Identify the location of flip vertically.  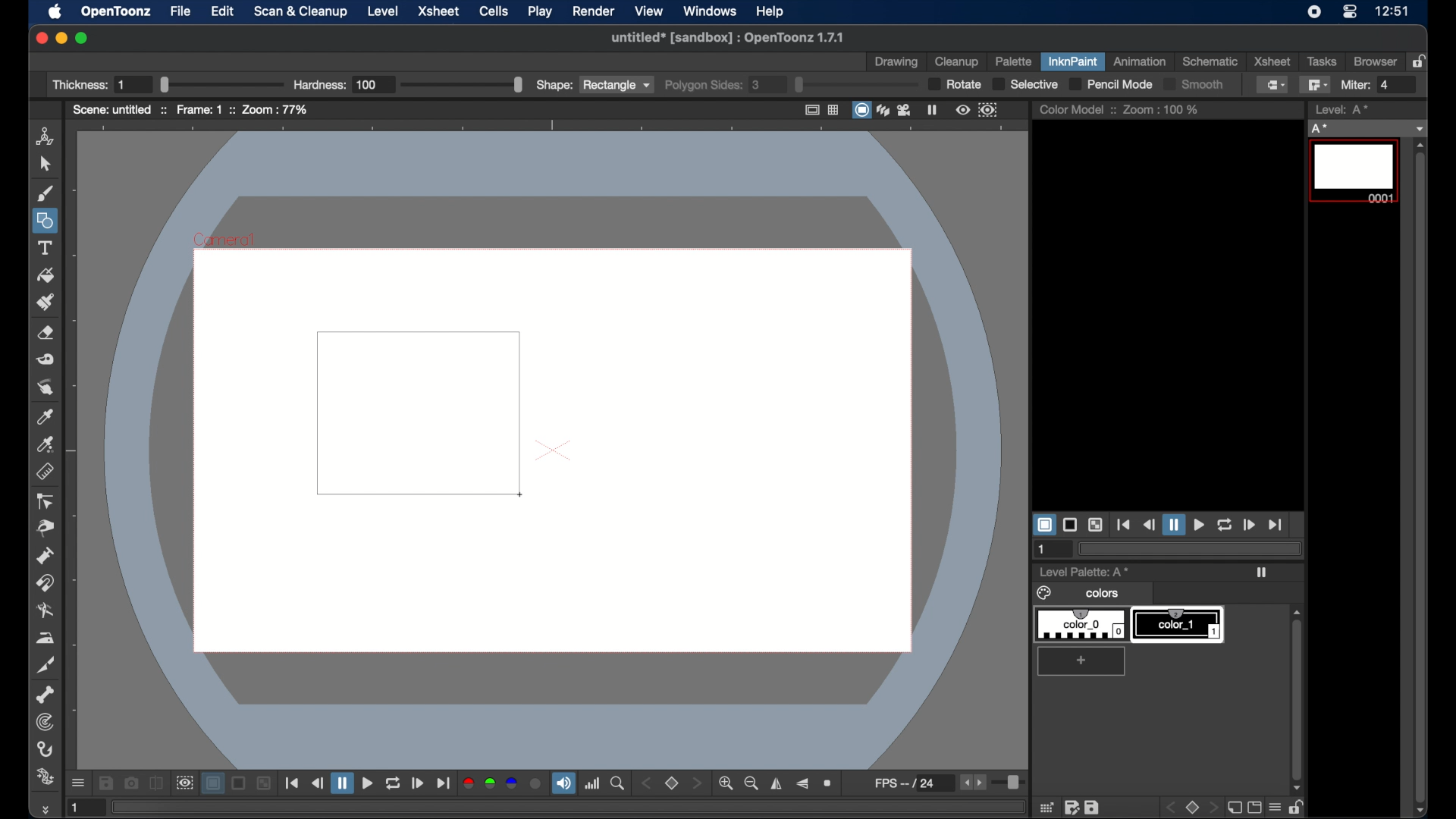
(802, 784).